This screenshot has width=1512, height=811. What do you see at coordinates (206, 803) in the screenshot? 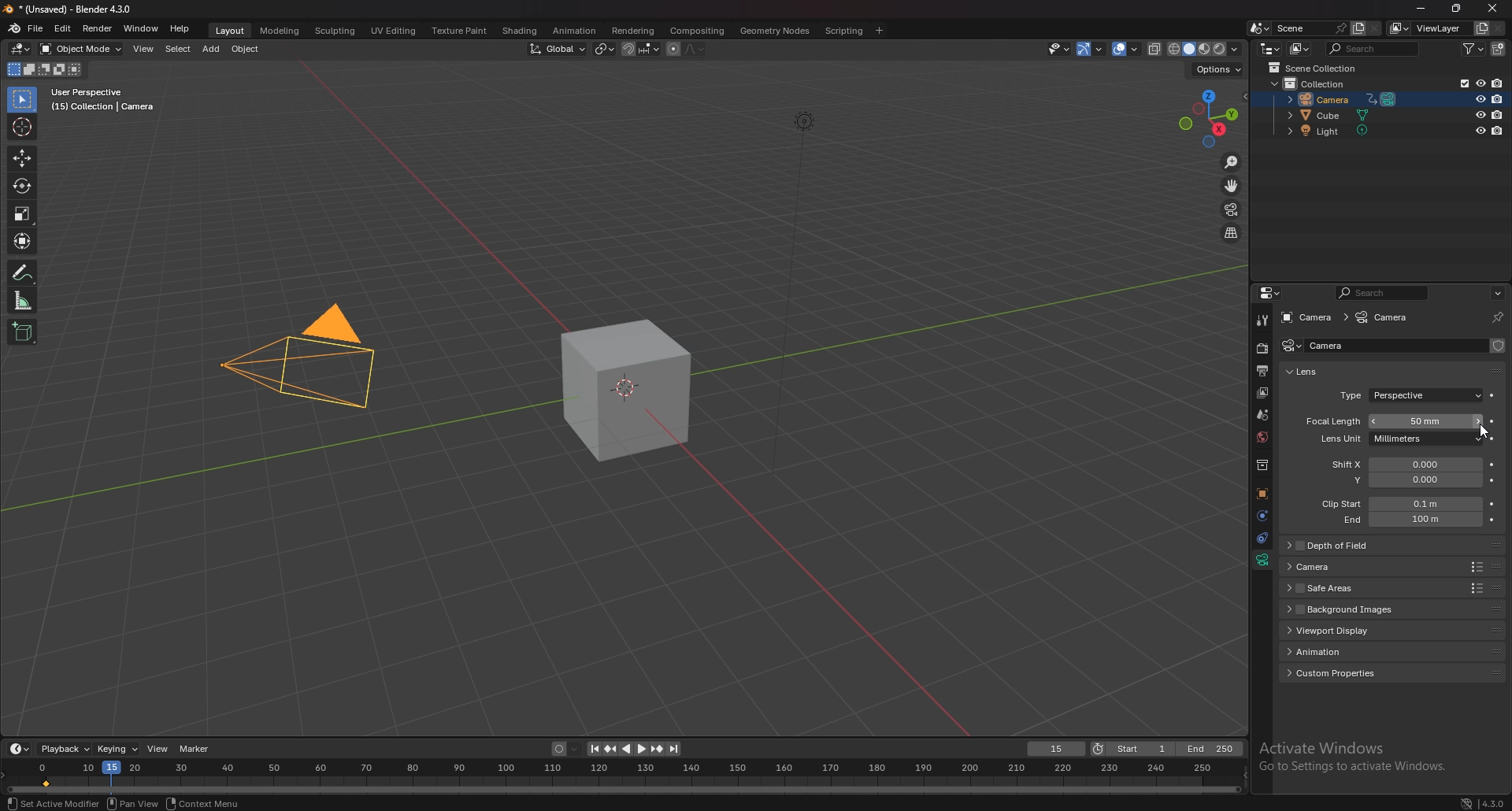
I see `context menu` at bounding box center [206, 803].